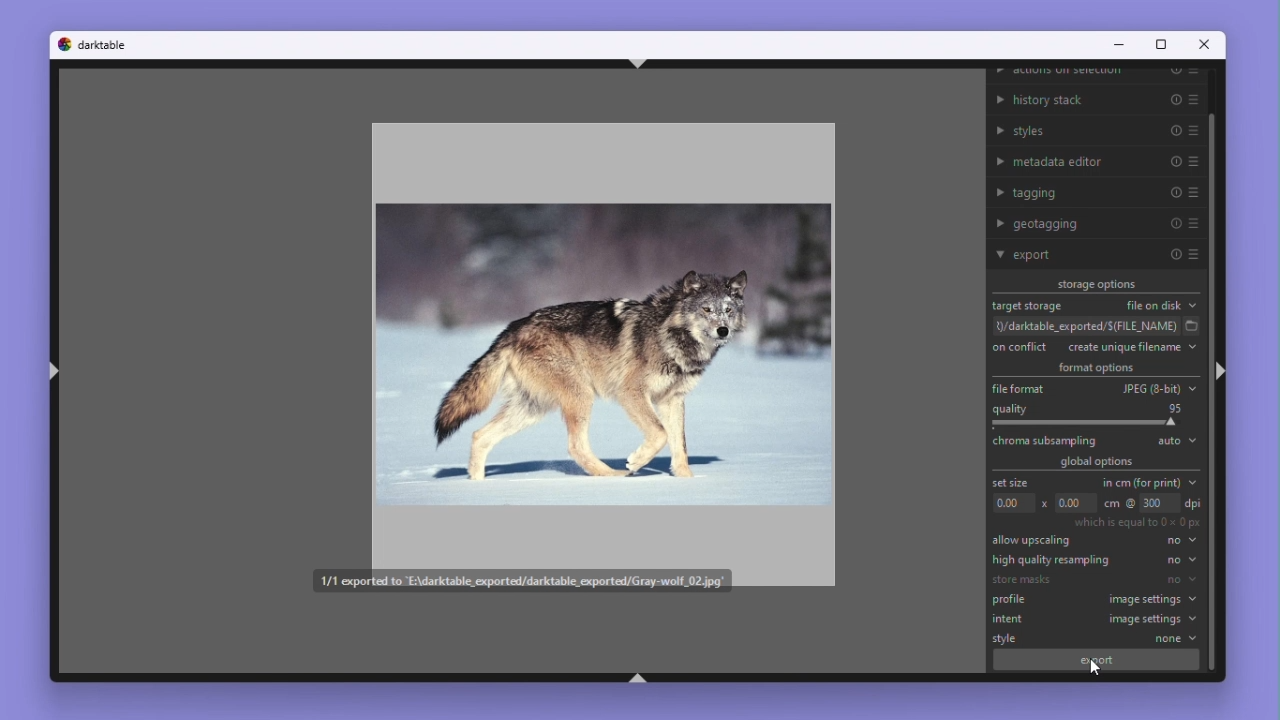  What do you see at coordinates (1098, 74) in the screenshot?
I see `Actions on selection` at bounding box center [1098, 74].